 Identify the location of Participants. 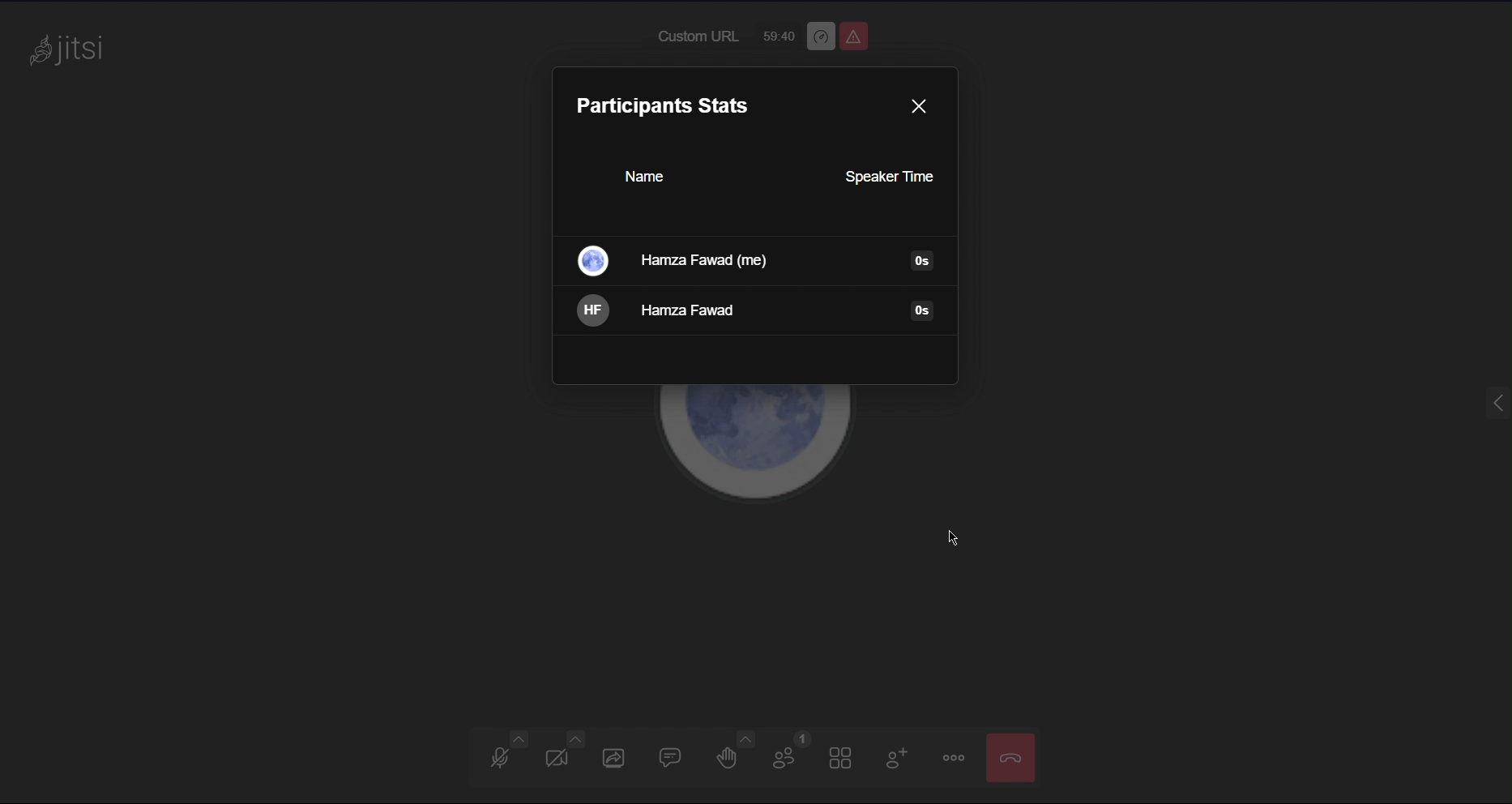
(789, 755).